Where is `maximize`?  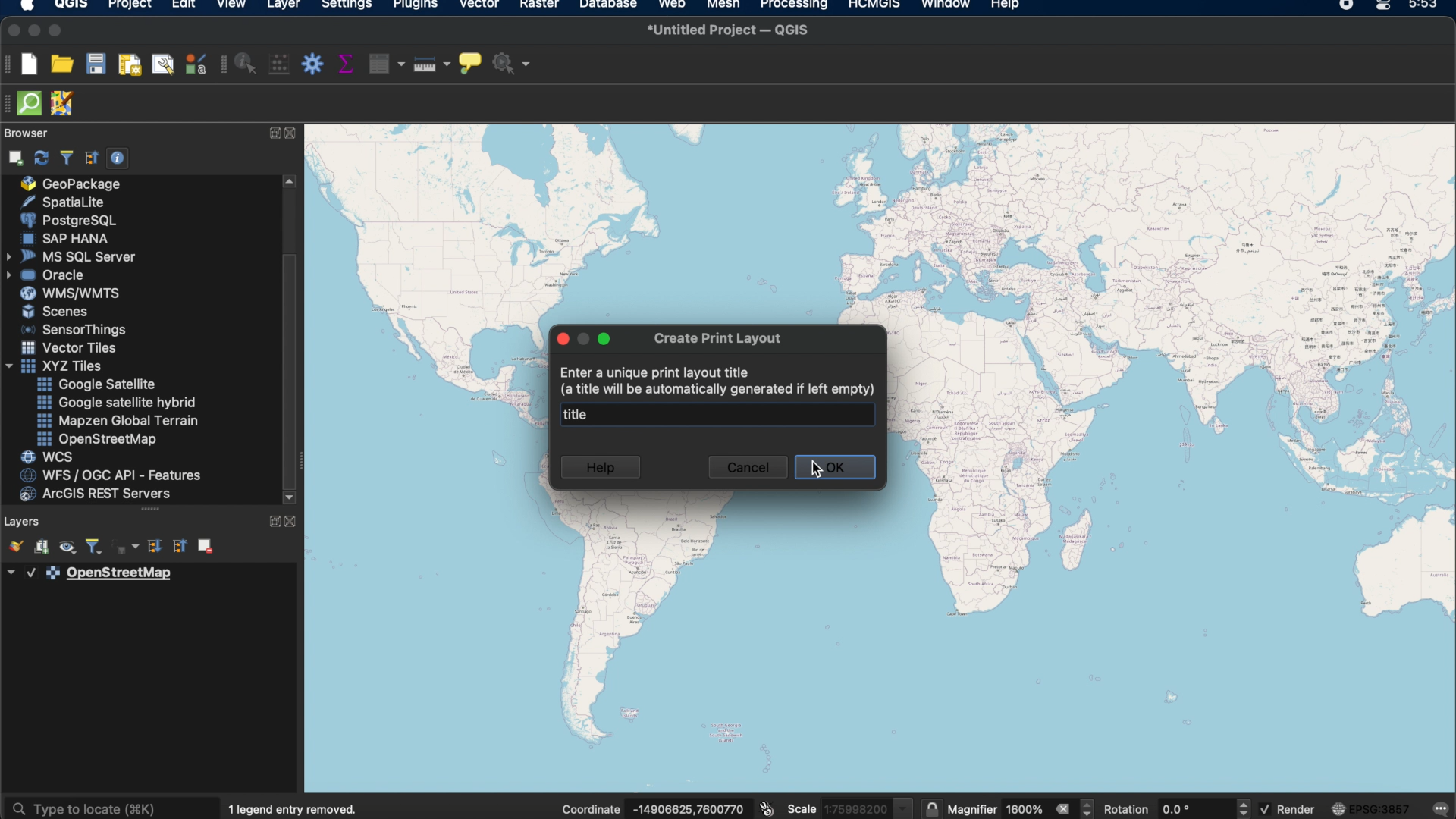 maximize is located at coordinates (604, 338).